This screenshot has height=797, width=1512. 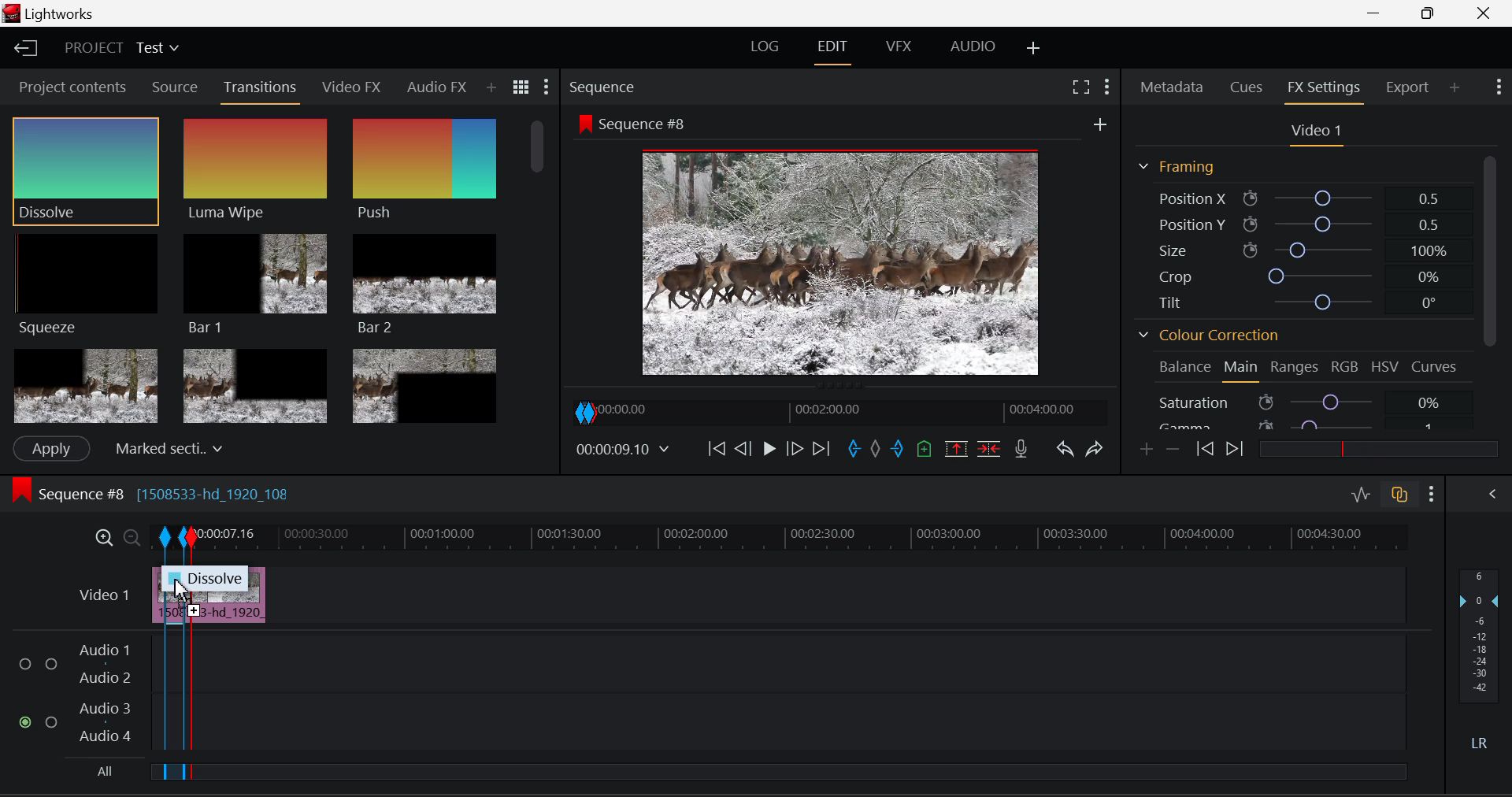 What do you see at coordinates (898, 451) in the screenshot?
I see `Mark Out` at bounding box center [898, 451].